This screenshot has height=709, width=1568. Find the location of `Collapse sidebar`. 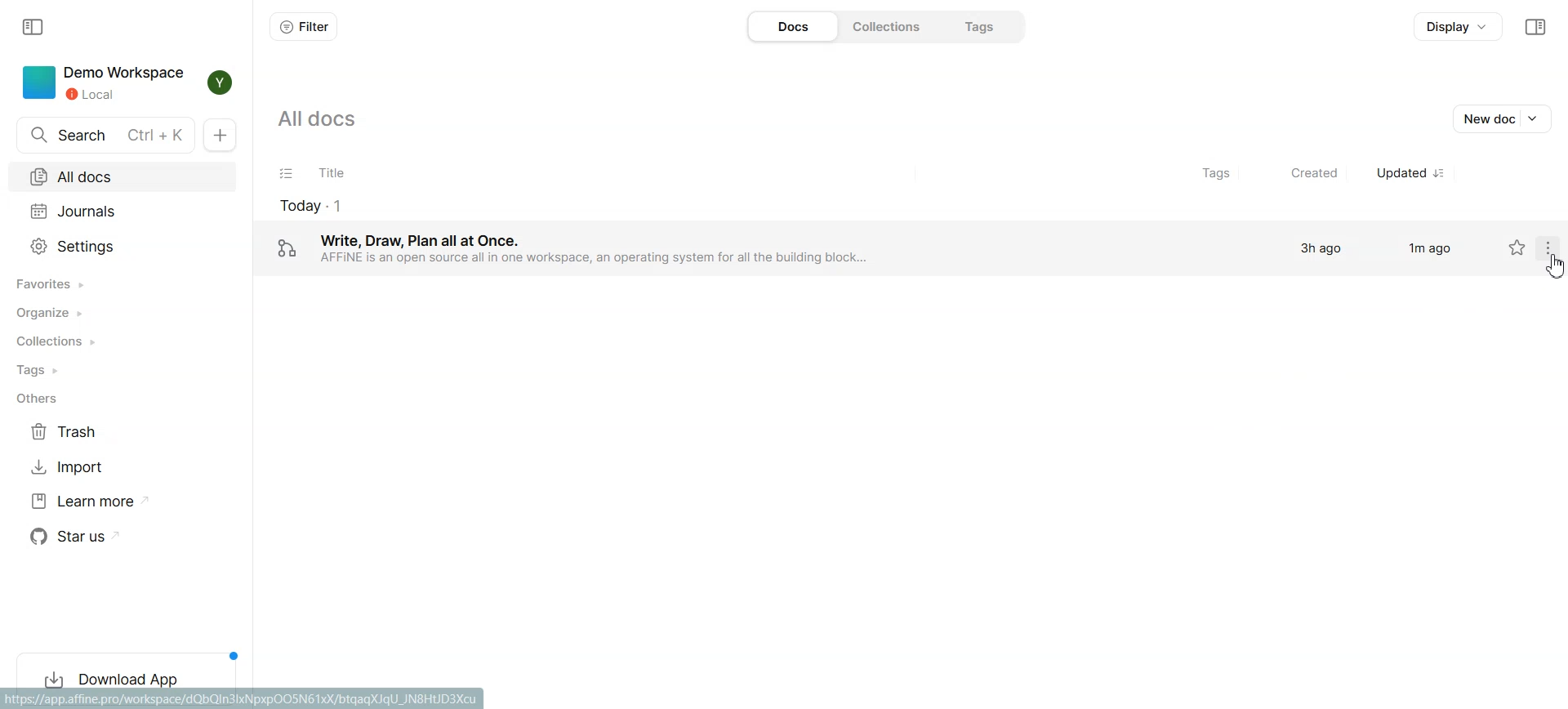

Collapse sidebar is located at coordinates (1538, 27).